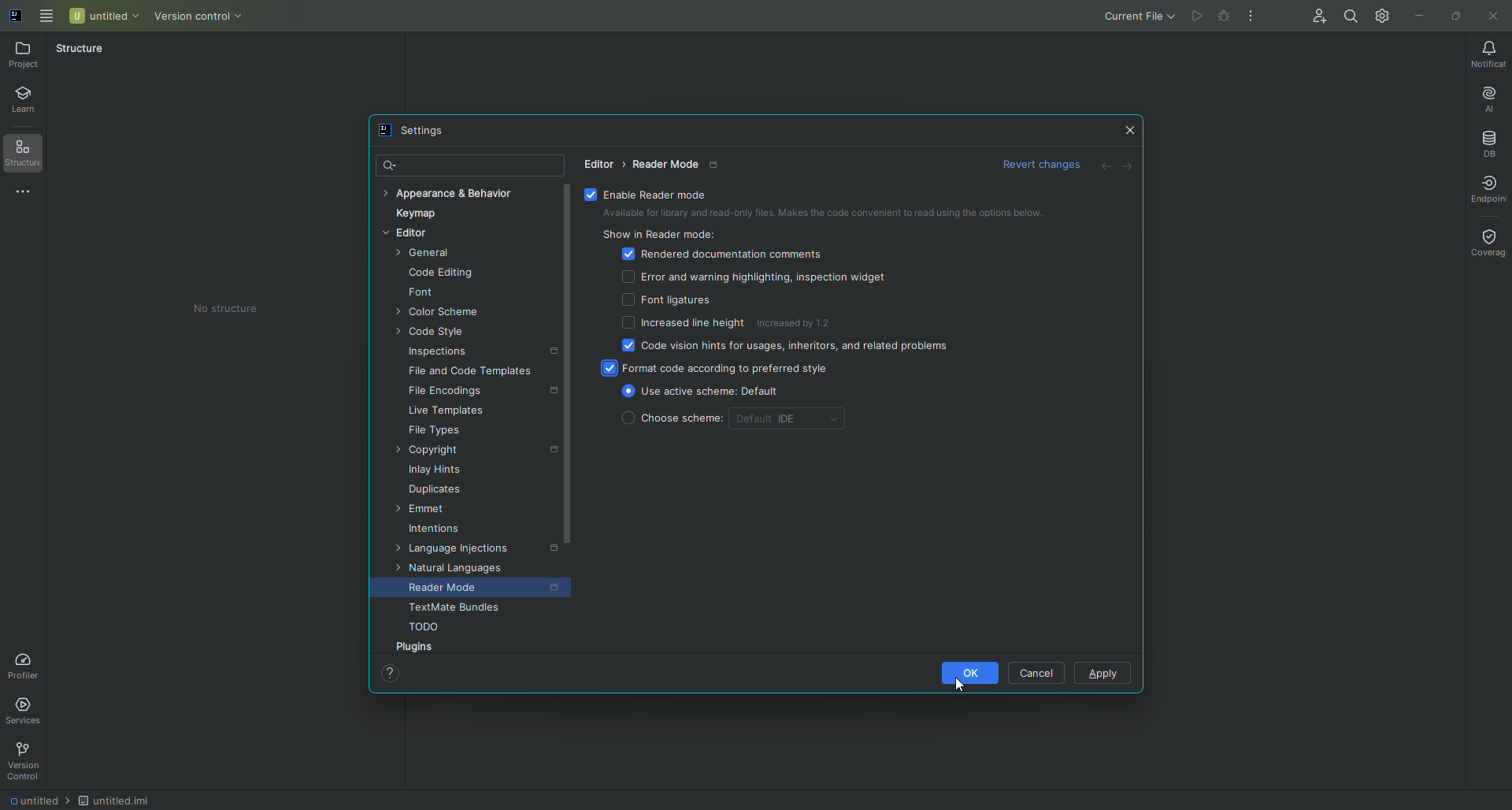  What do you see at coordinates (23, 57) in the screenshot?
I see `Project` at bounding box center [23, 57].